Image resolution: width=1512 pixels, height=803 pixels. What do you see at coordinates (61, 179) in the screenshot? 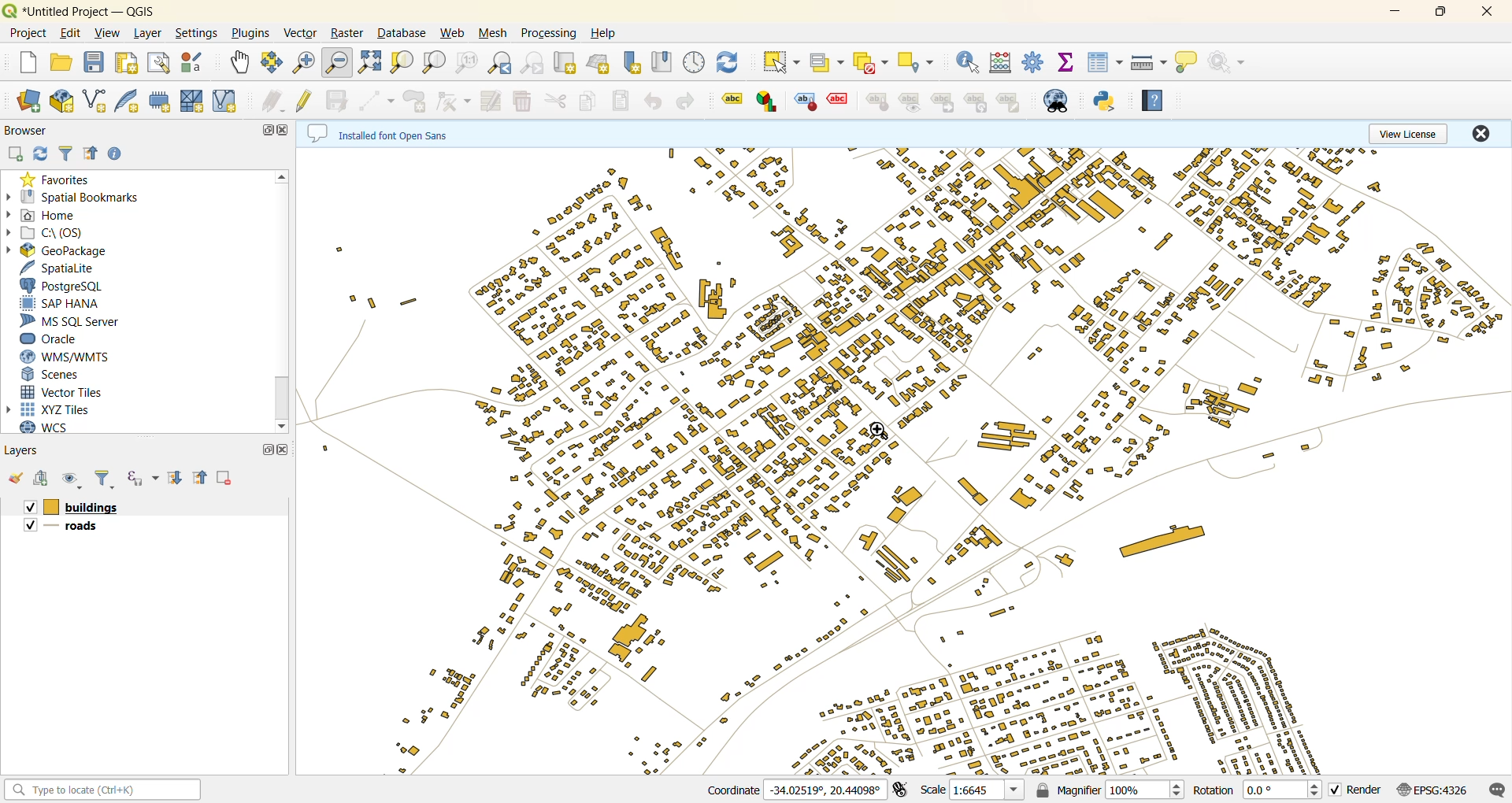
I see `favorites` at bounding box center [61, 179].